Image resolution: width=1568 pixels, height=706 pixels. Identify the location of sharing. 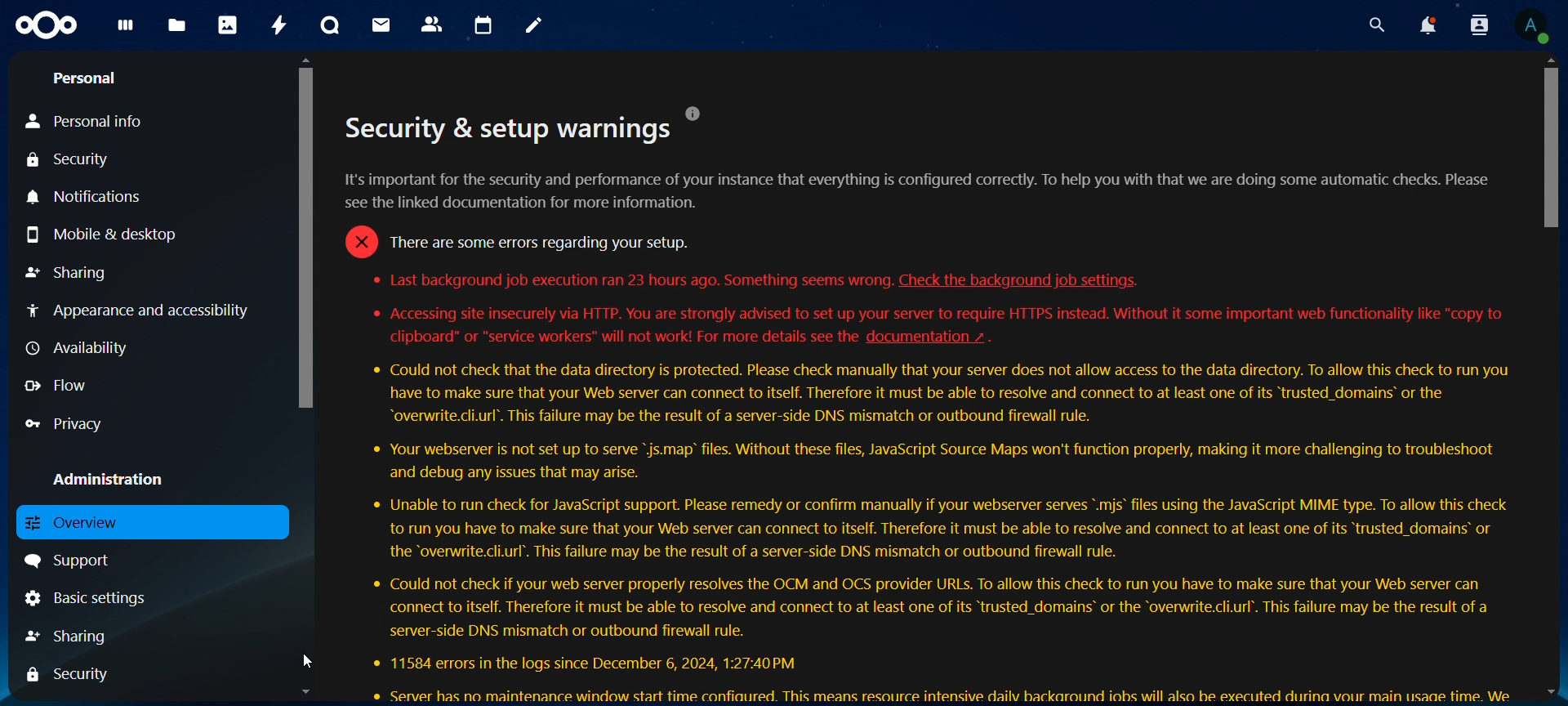
(69, 273).